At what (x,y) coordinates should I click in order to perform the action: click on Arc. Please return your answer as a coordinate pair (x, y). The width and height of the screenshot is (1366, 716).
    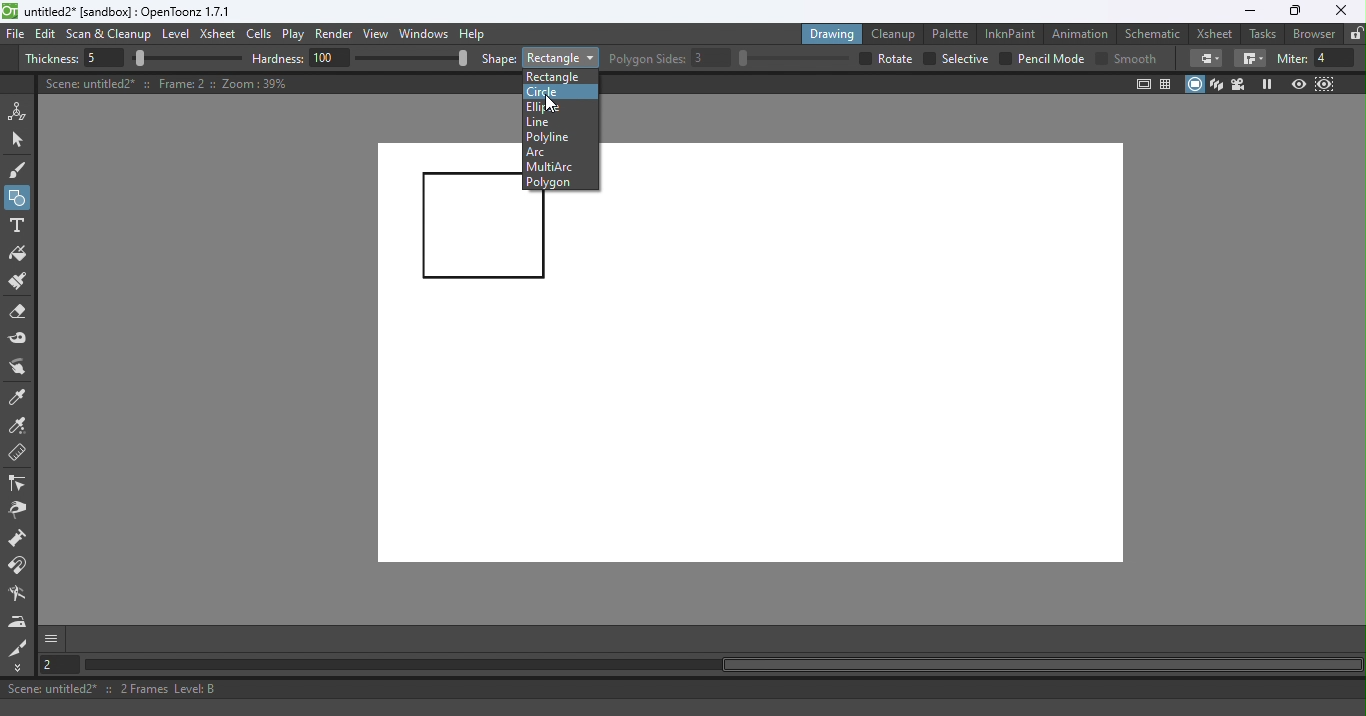
    Looking at the image, I should click on (538, 152).